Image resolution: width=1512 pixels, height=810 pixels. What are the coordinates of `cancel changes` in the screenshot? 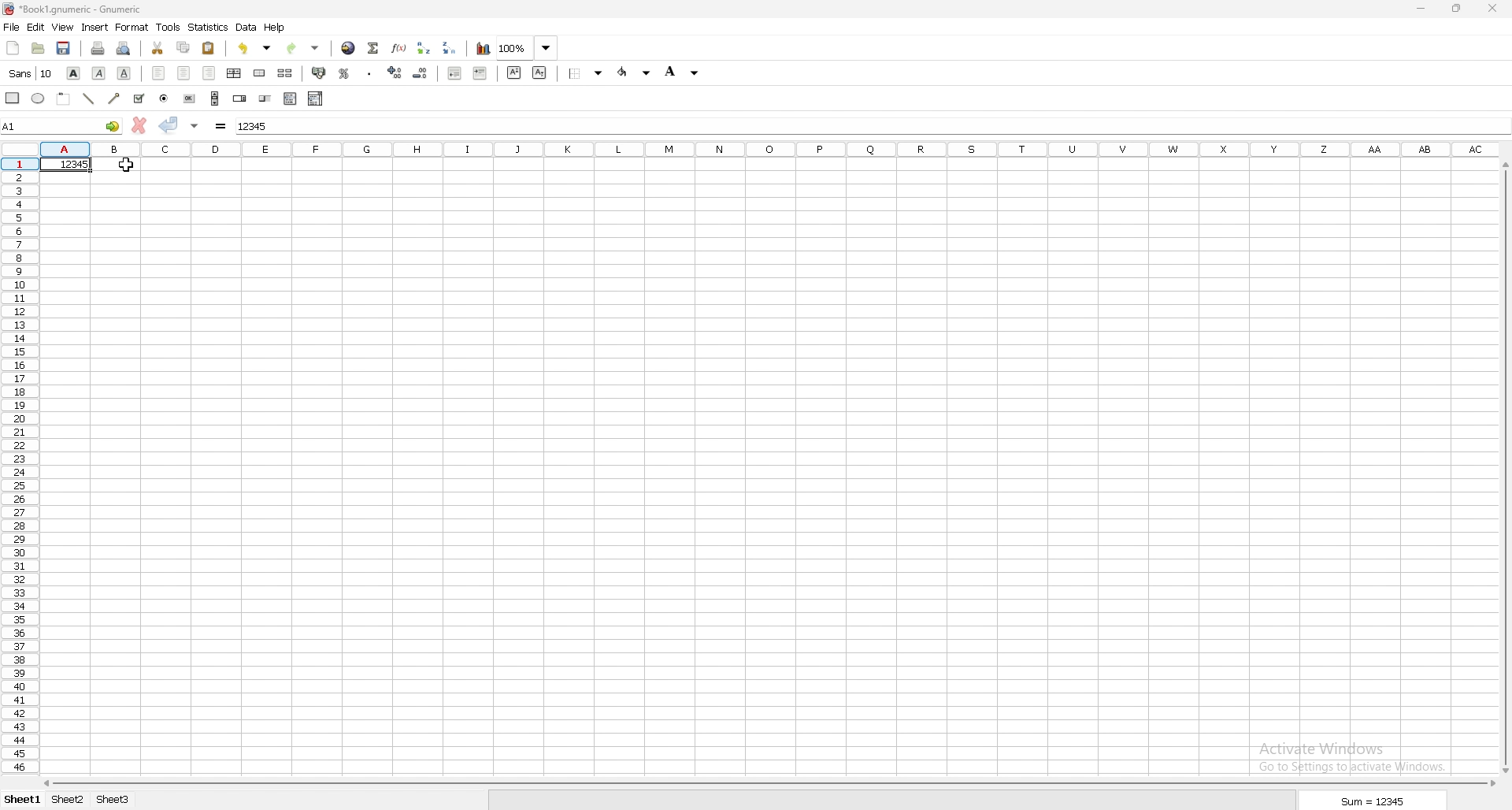 It's located at (139, 124).